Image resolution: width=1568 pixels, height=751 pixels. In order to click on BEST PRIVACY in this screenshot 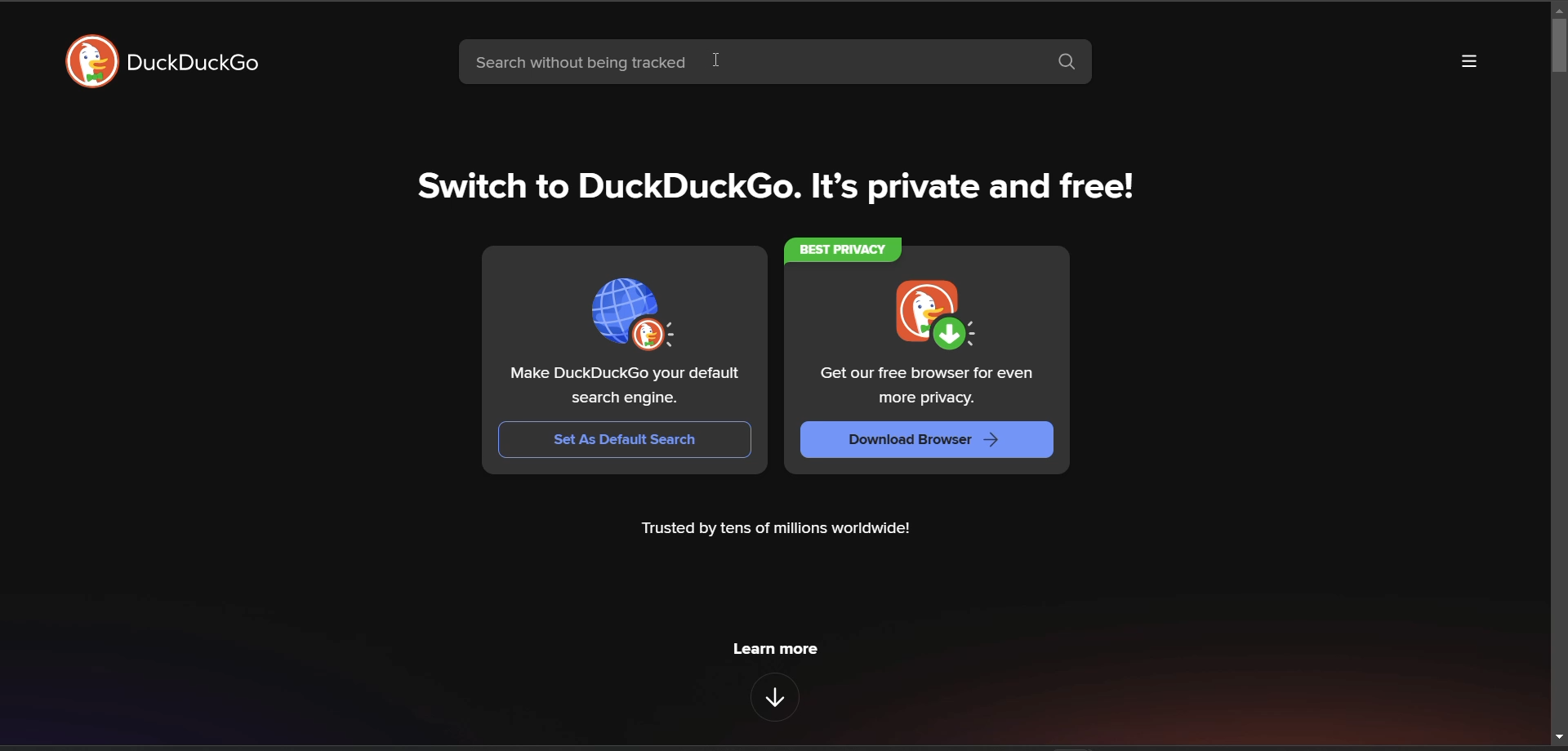, I will do `click(843, 251)`.